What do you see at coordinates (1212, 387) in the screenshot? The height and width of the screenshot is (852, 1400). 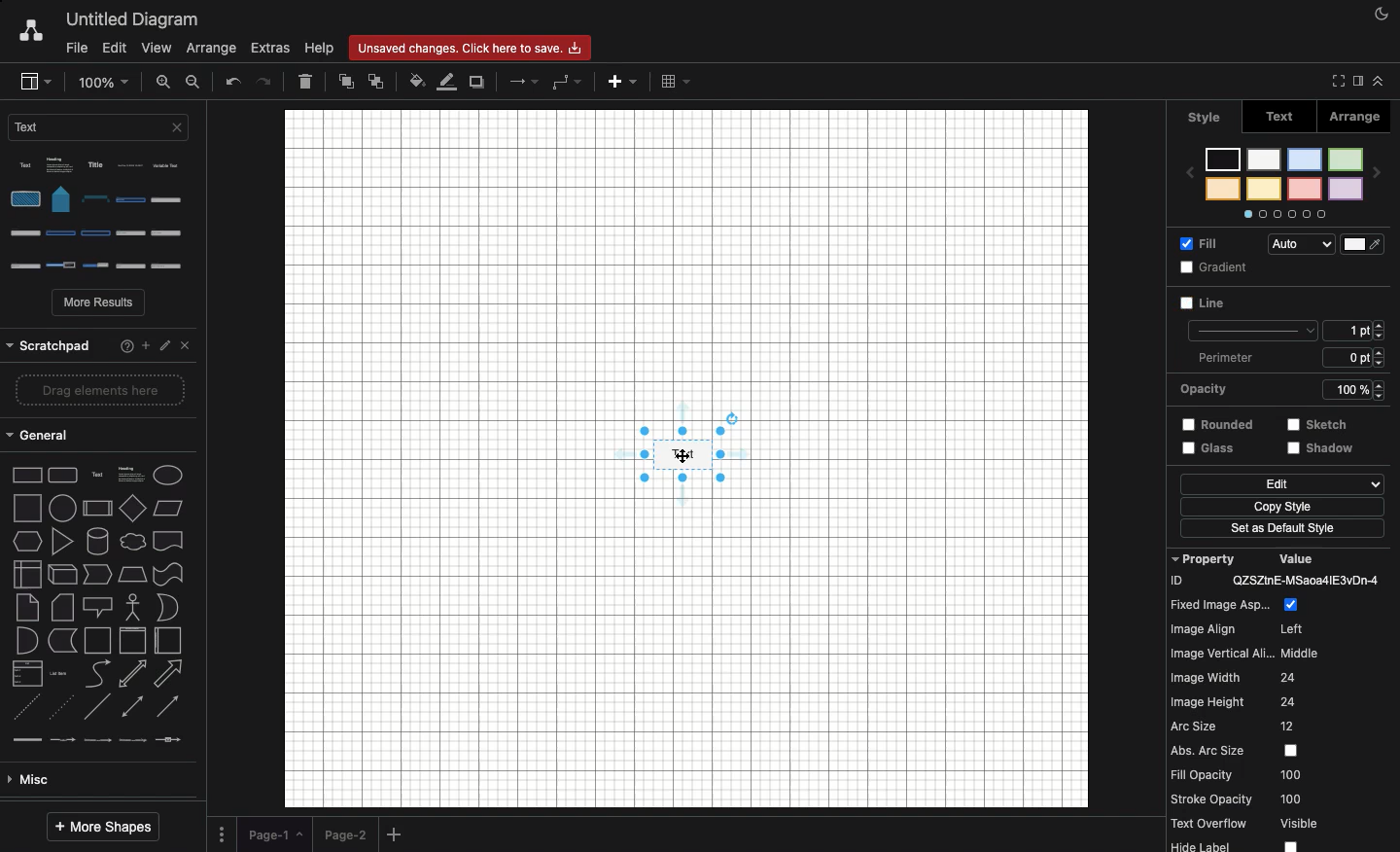 I see `Rounded` at bounding box center [1212, 387].